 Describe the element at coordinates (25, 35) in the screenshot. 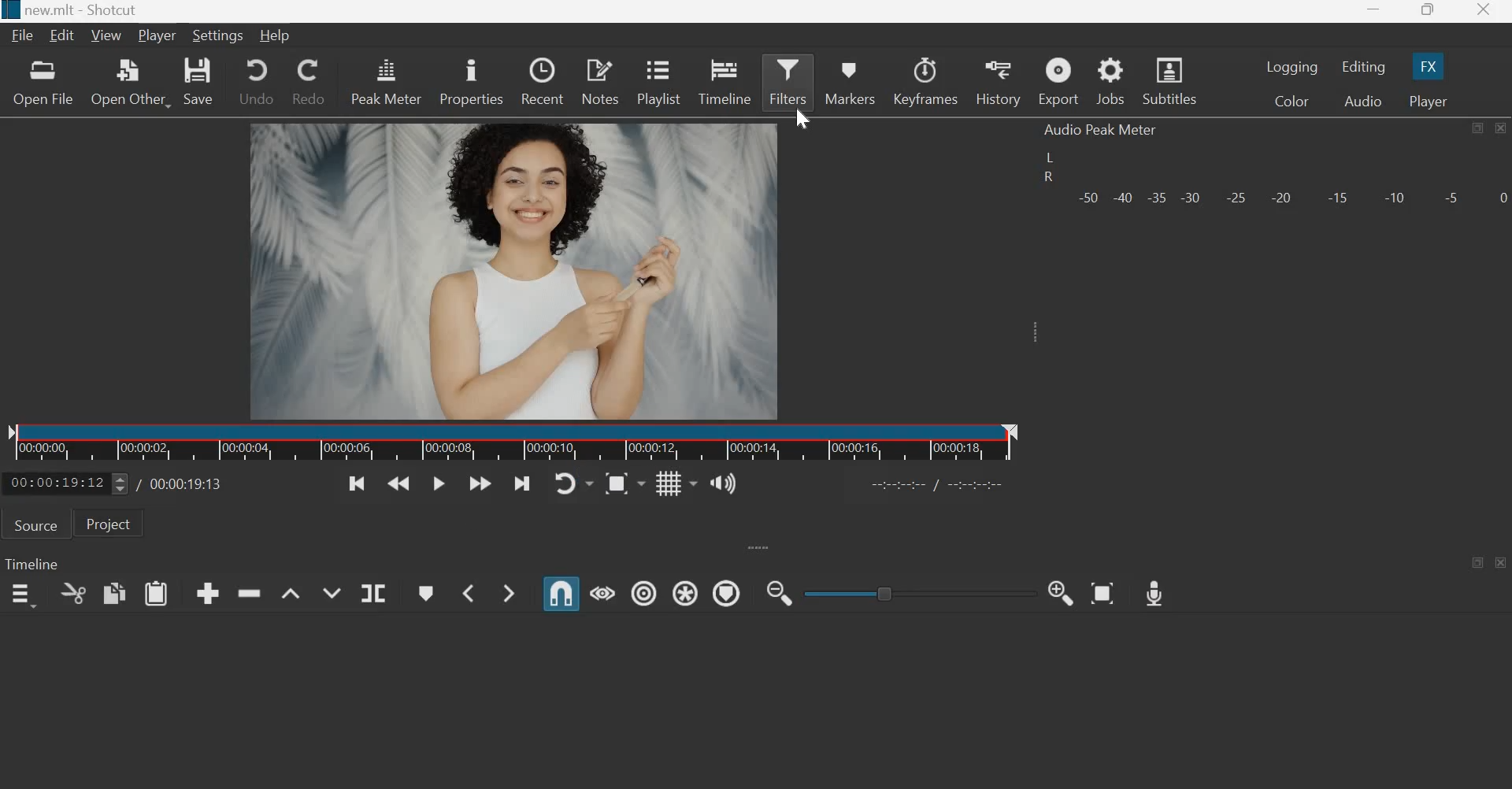

I see `File` at that location.